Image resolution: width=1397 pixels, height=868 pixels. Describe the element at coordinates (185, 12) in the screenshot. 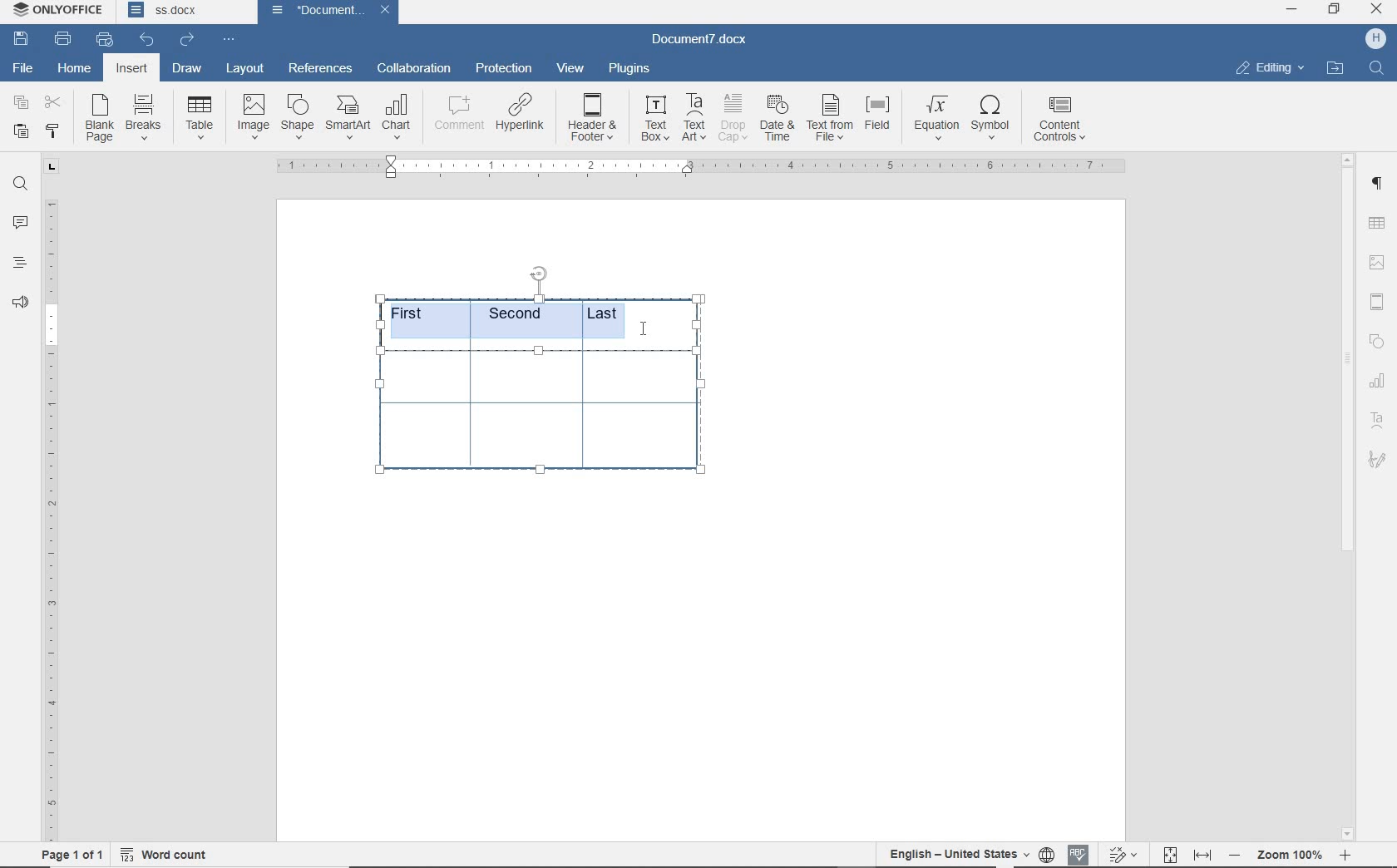

I see `document names` at that location.